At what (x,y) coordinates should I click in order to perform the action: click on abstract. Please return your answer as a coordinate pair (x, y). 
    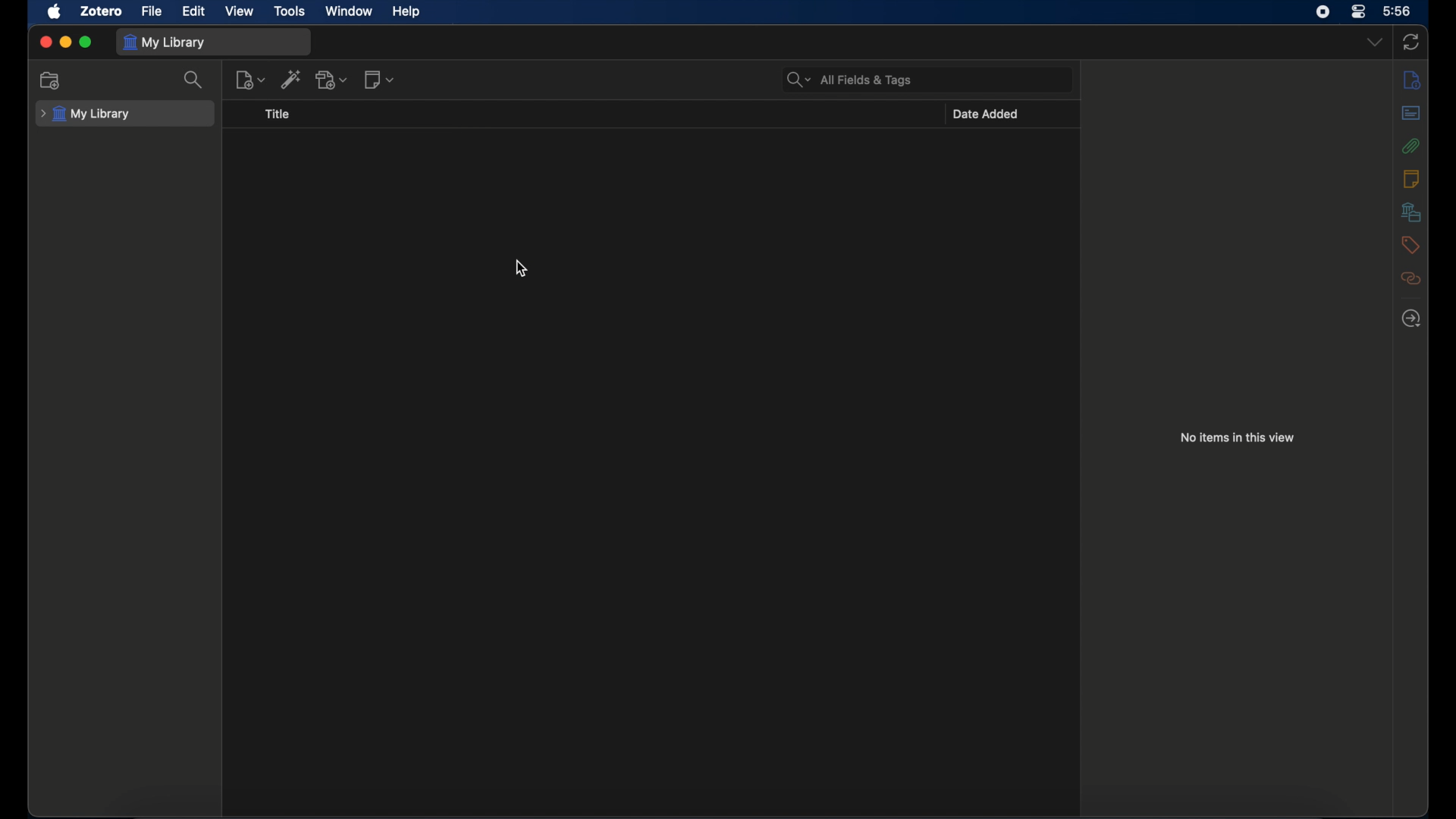
    Looking at the image, I should click on (1411, 112).